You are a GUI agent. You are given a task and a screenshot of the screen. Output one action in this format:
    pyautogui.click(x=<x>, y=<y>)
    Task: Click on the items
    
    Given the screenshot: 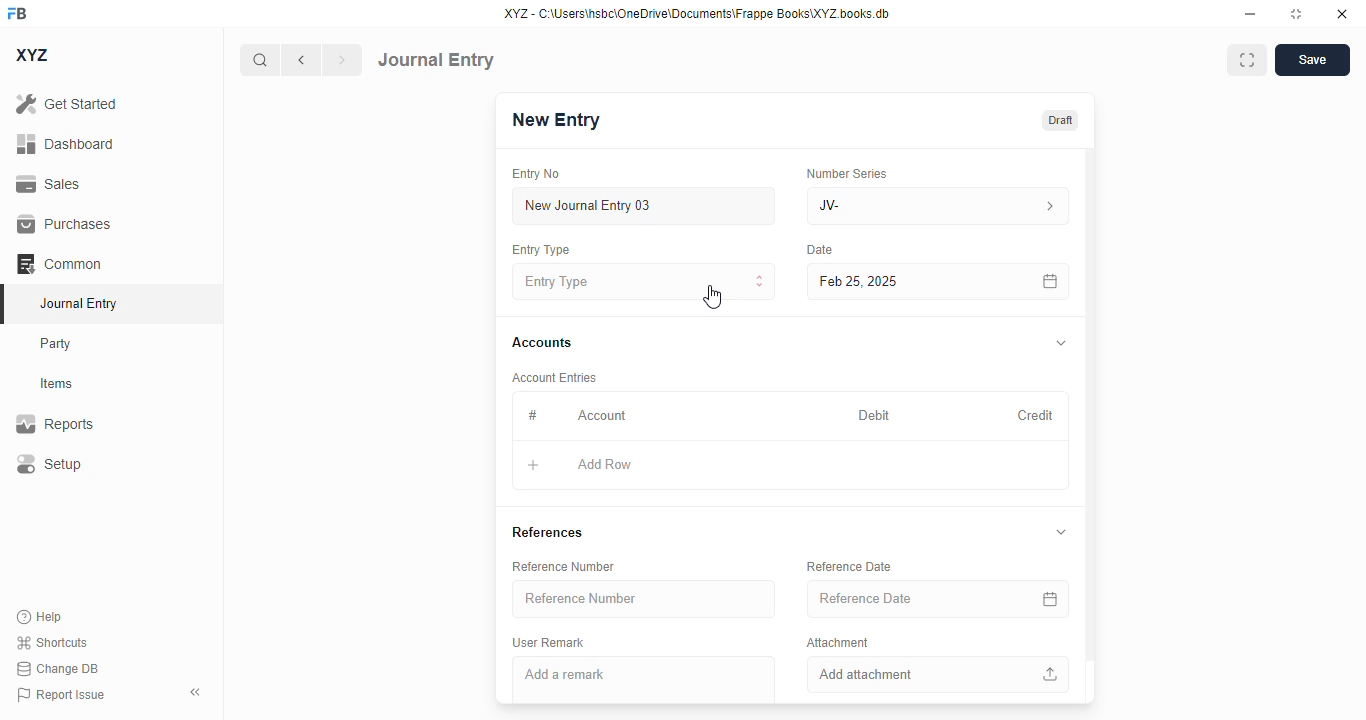 What is the action you would take?
    pyautogui.click(x=57, y=384)
    